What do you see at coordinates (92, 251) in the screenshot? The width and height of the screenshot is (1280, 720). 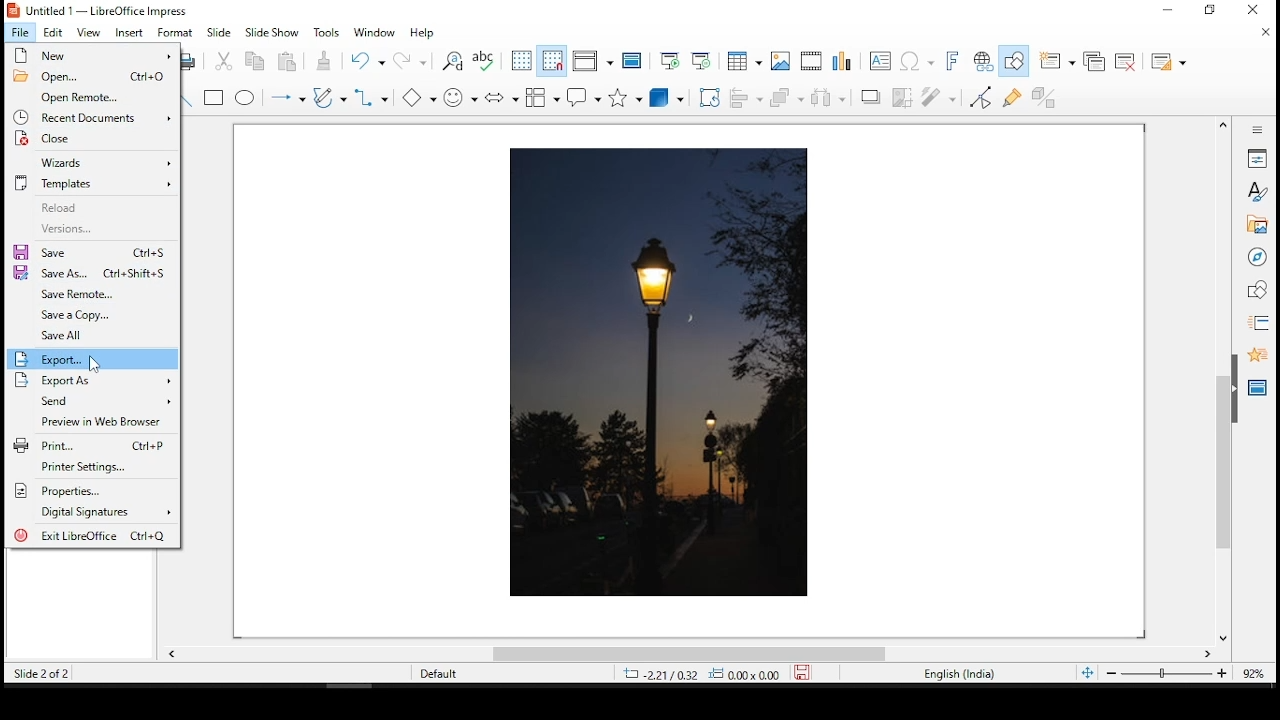 I see `save` at bounding box center [92, 251].